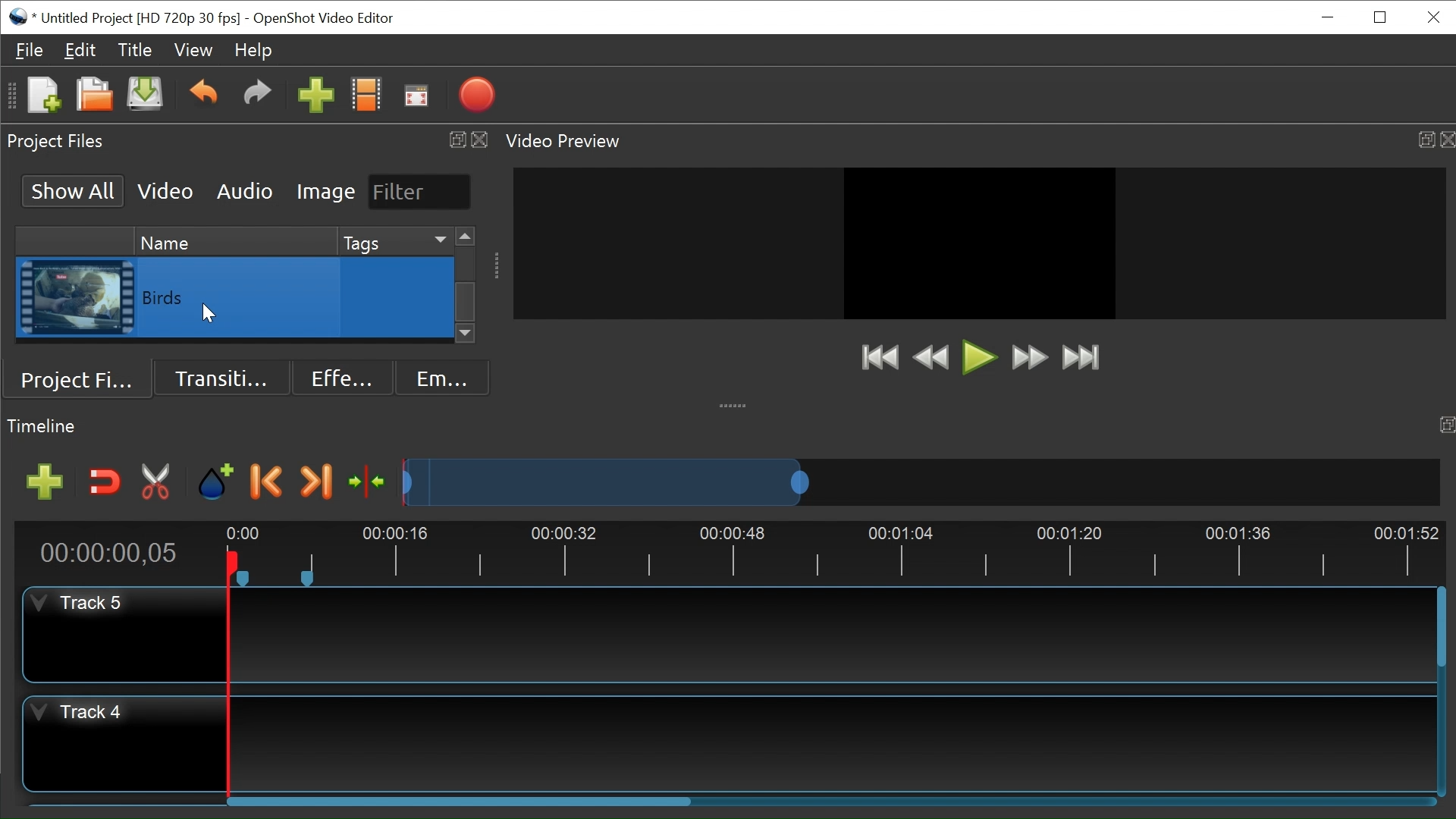  Describe the element at coordinates (365, 480) in the screenshot. I see `Center the timeline on the playhead` at that location.